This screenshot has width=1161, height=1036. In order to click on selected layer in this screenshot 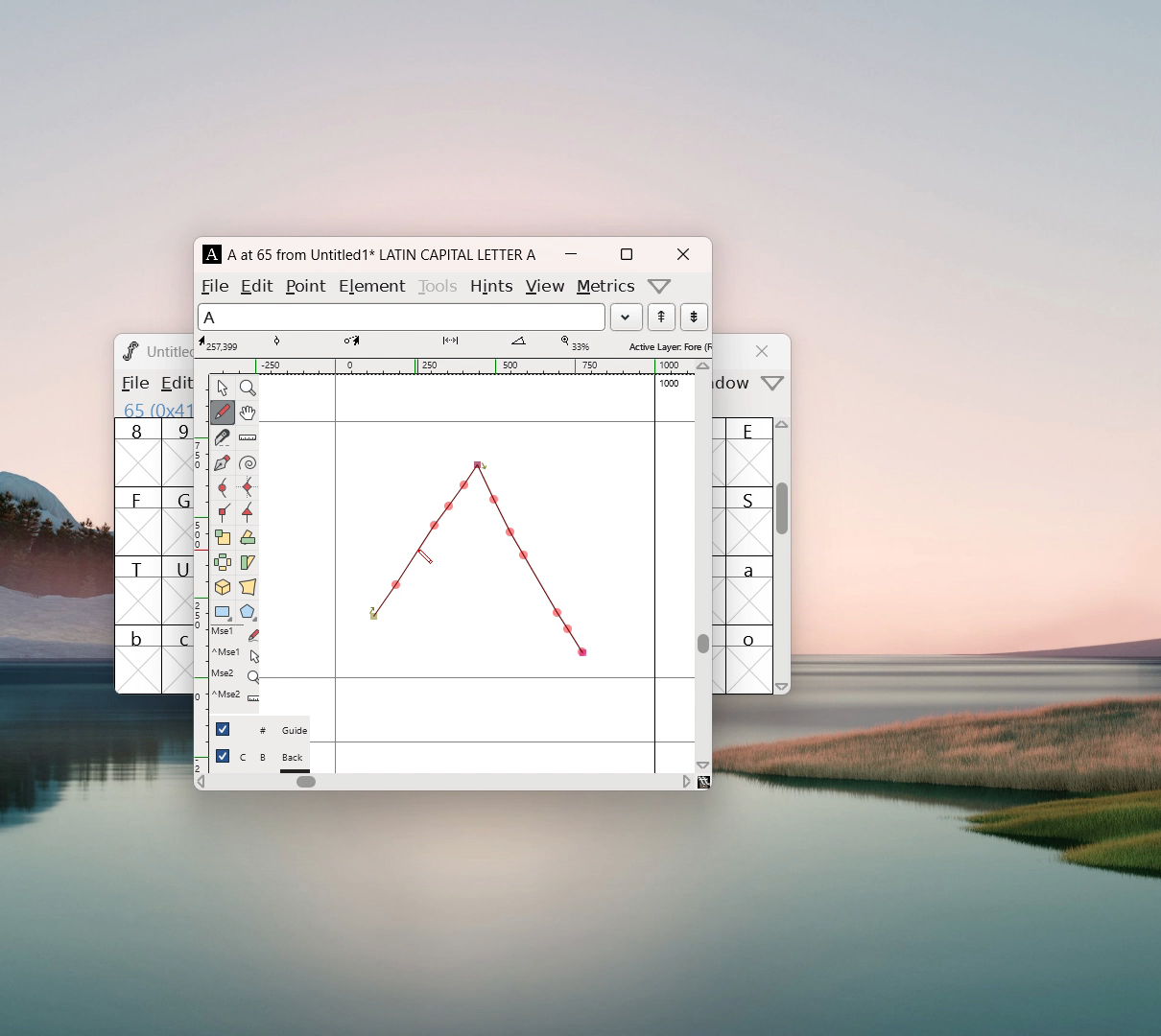, I will do `click(667, 345)`.